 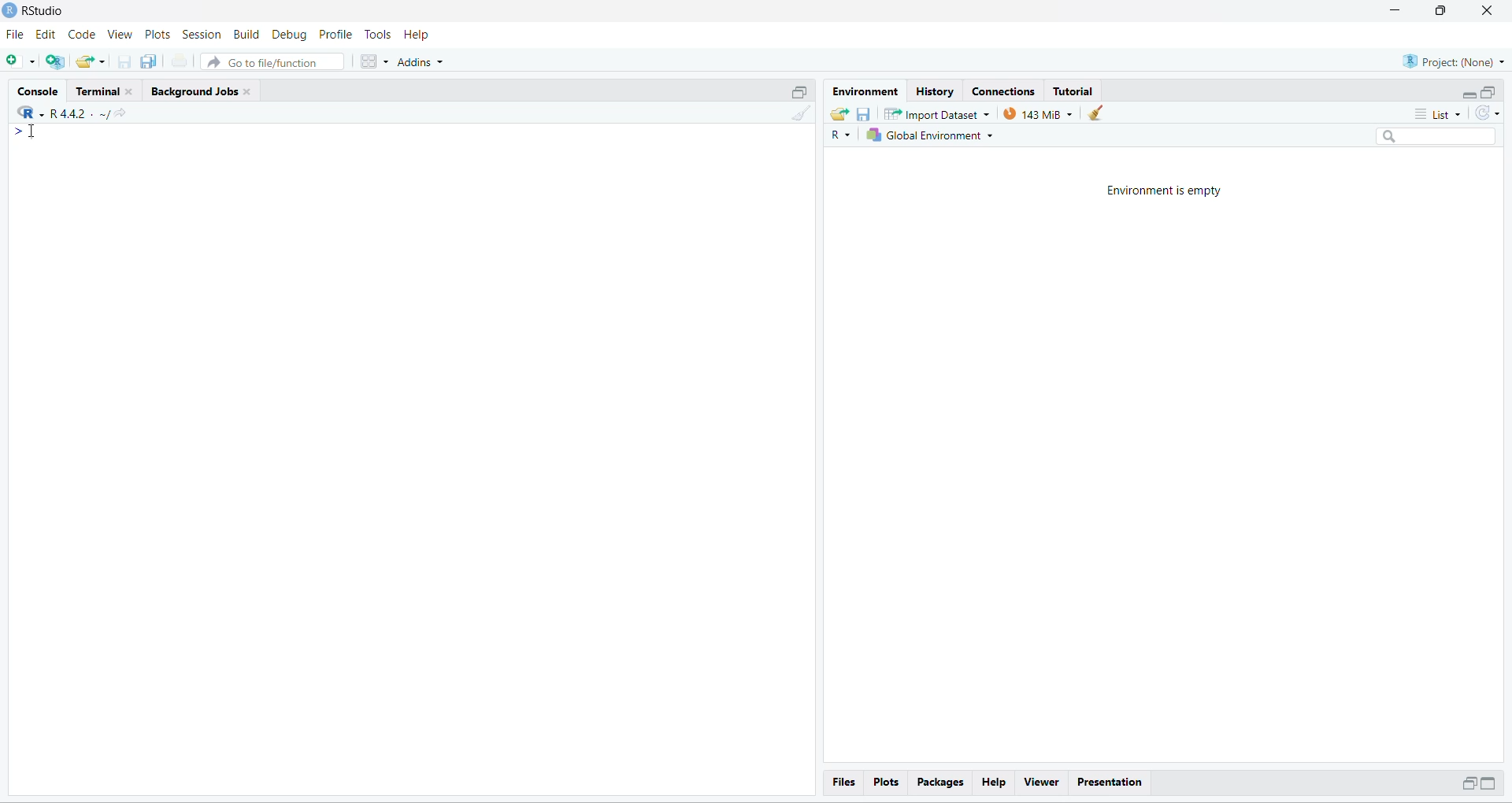 I want to click on clean, so click(x=1095, y=113).